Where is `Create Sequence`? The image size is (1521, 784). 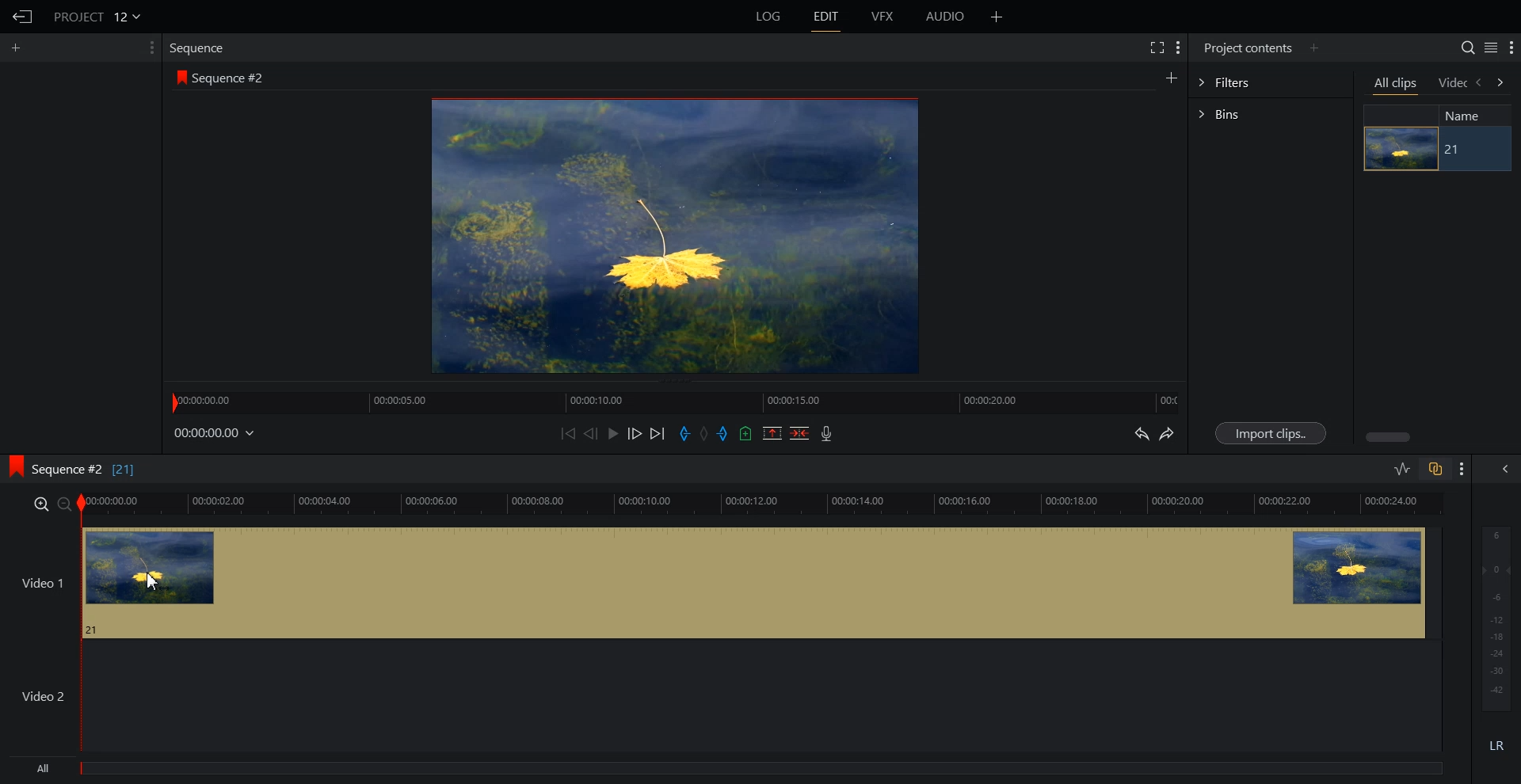 Create Sequence is located at coordinates (1170, 78).